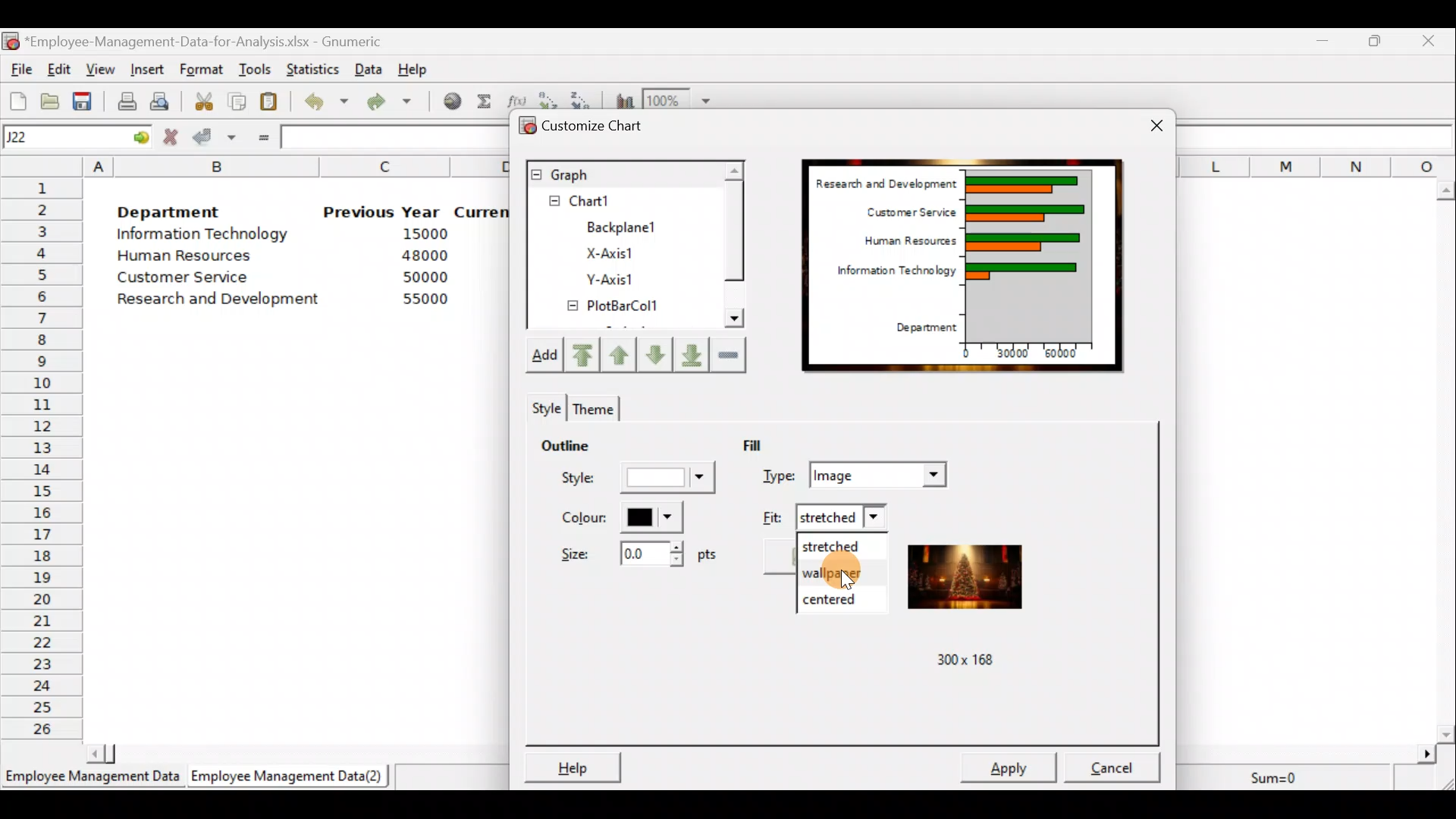 The height and width of the screenshot is (819, 1456). I want to click on Move downward, so click(688, 352).